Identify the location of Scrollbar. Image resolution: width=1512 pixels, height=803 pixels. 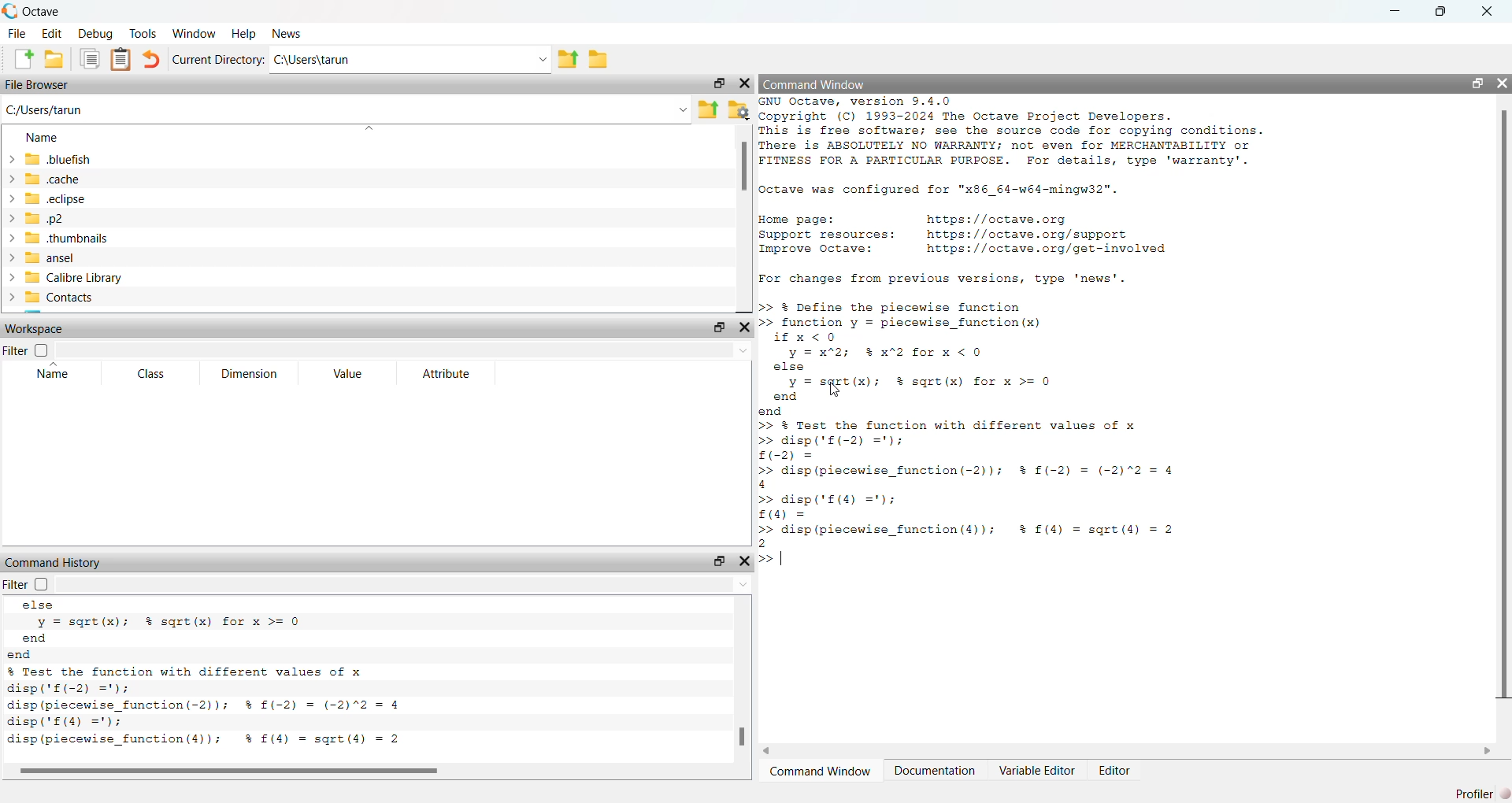
(242, 771).